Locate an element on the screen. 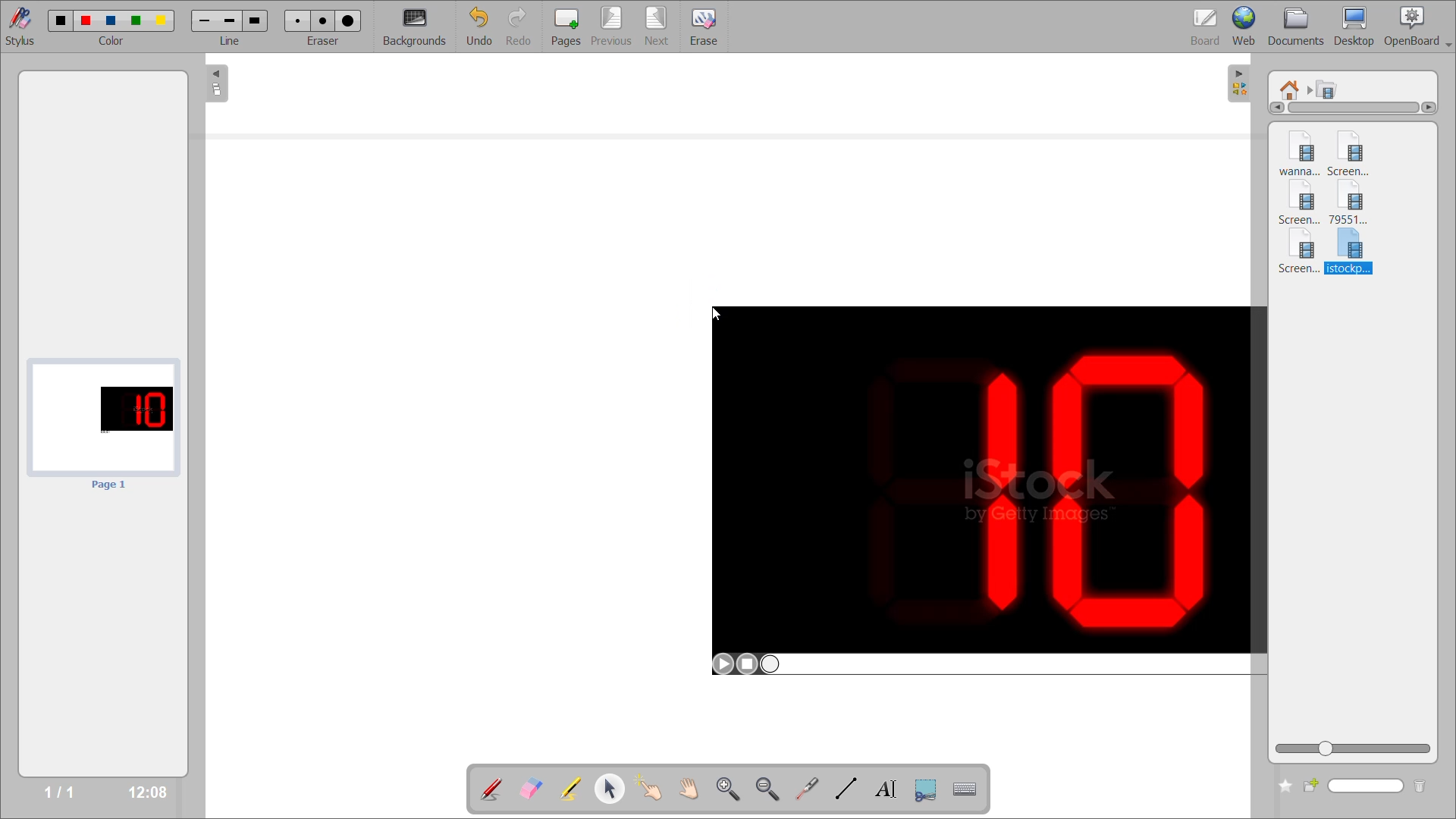 The width and height of the screenshot is (1456, 819). eraser  is located at coordinates (328, 42).